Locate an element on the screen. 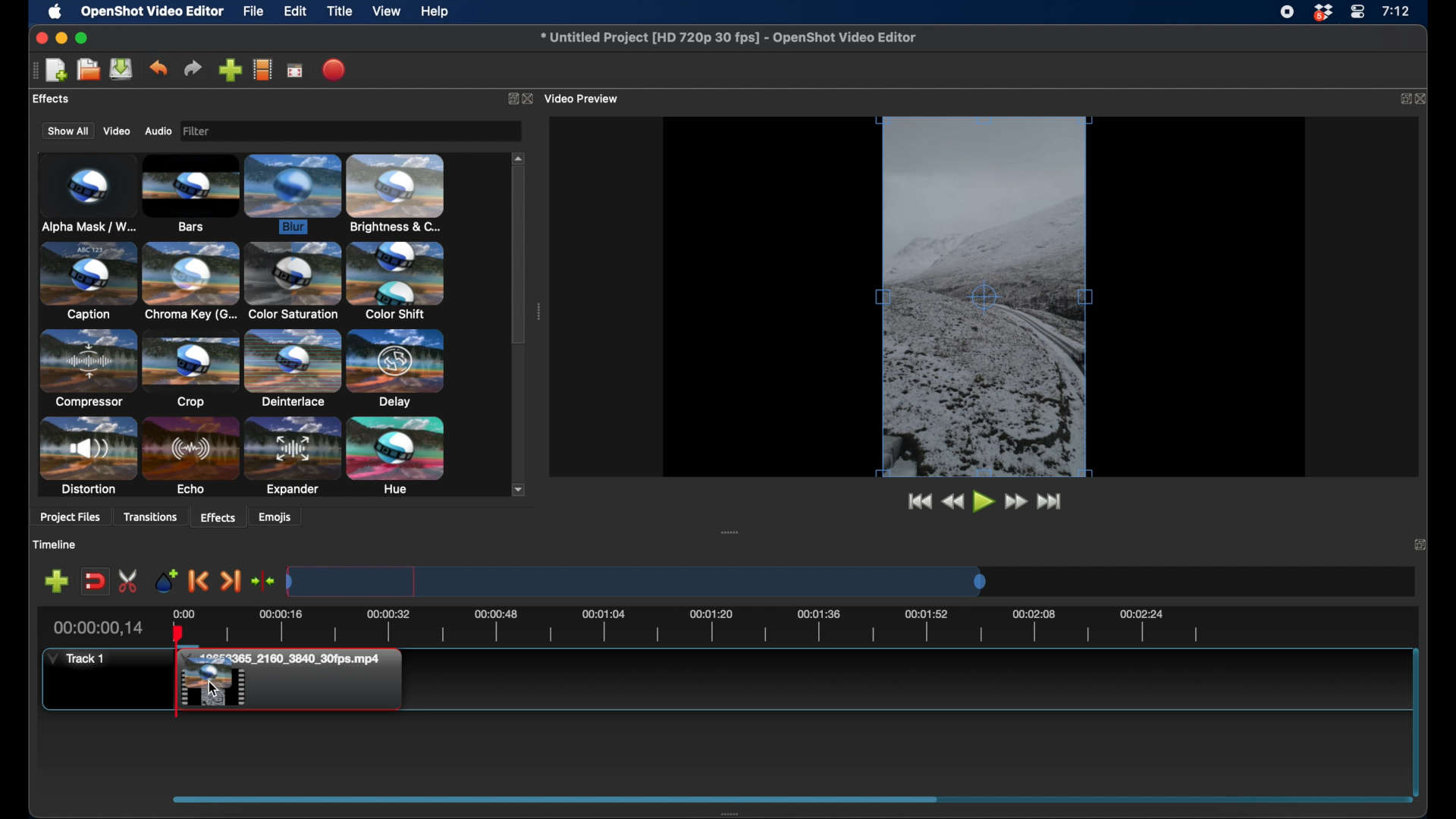  video preview is located at coordinates (984, 297).